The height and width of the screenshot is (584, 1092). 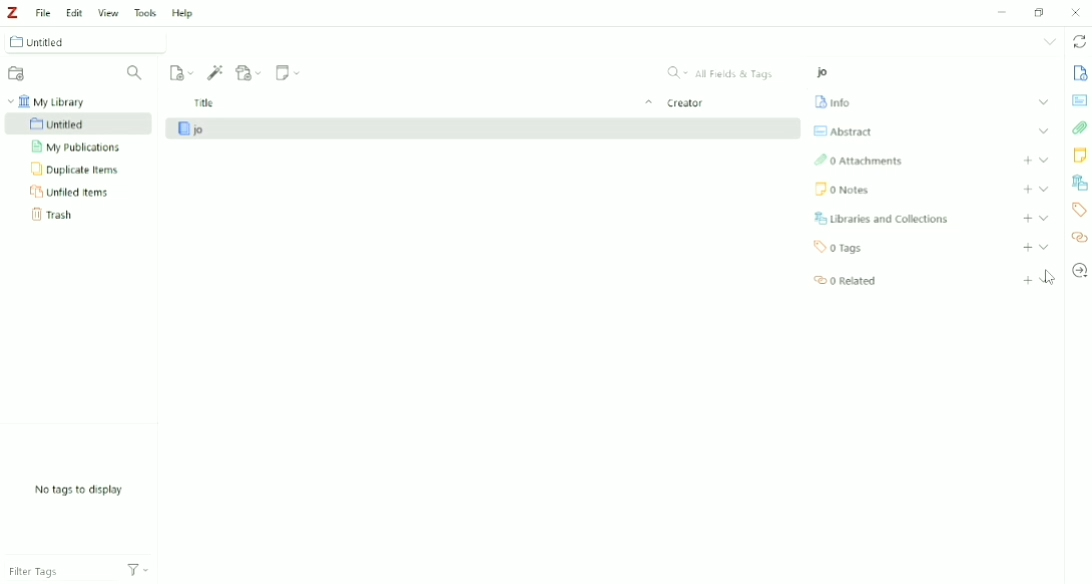 What do you see at coordinates (43, 13) in the screenshot?
I see `File` at bounding box center [43, 13].